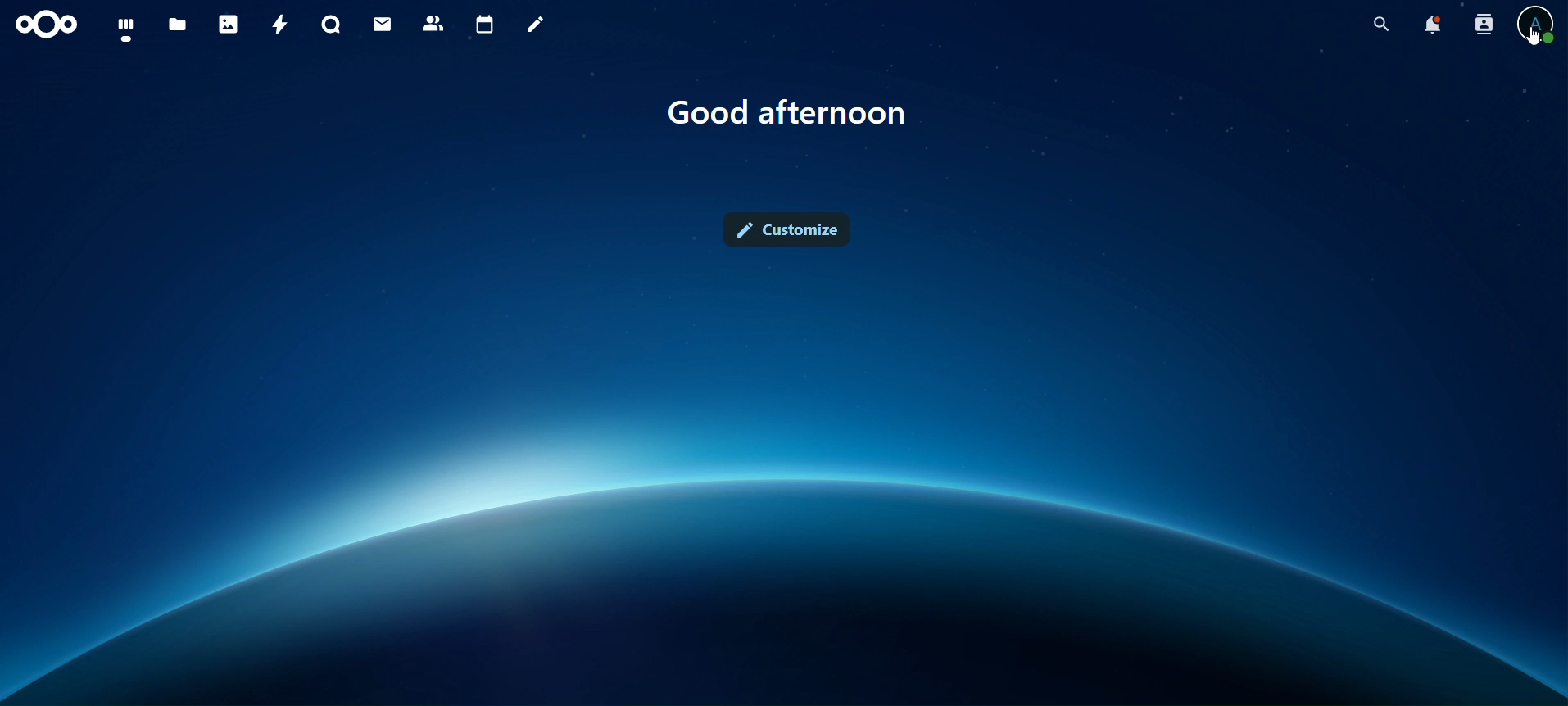 Image resolution: width=1568 pixels, height=706 pixels. What do you see at coordinates (791, 114) in the screenshot?
I see `text` at bounding box center [791, 114].